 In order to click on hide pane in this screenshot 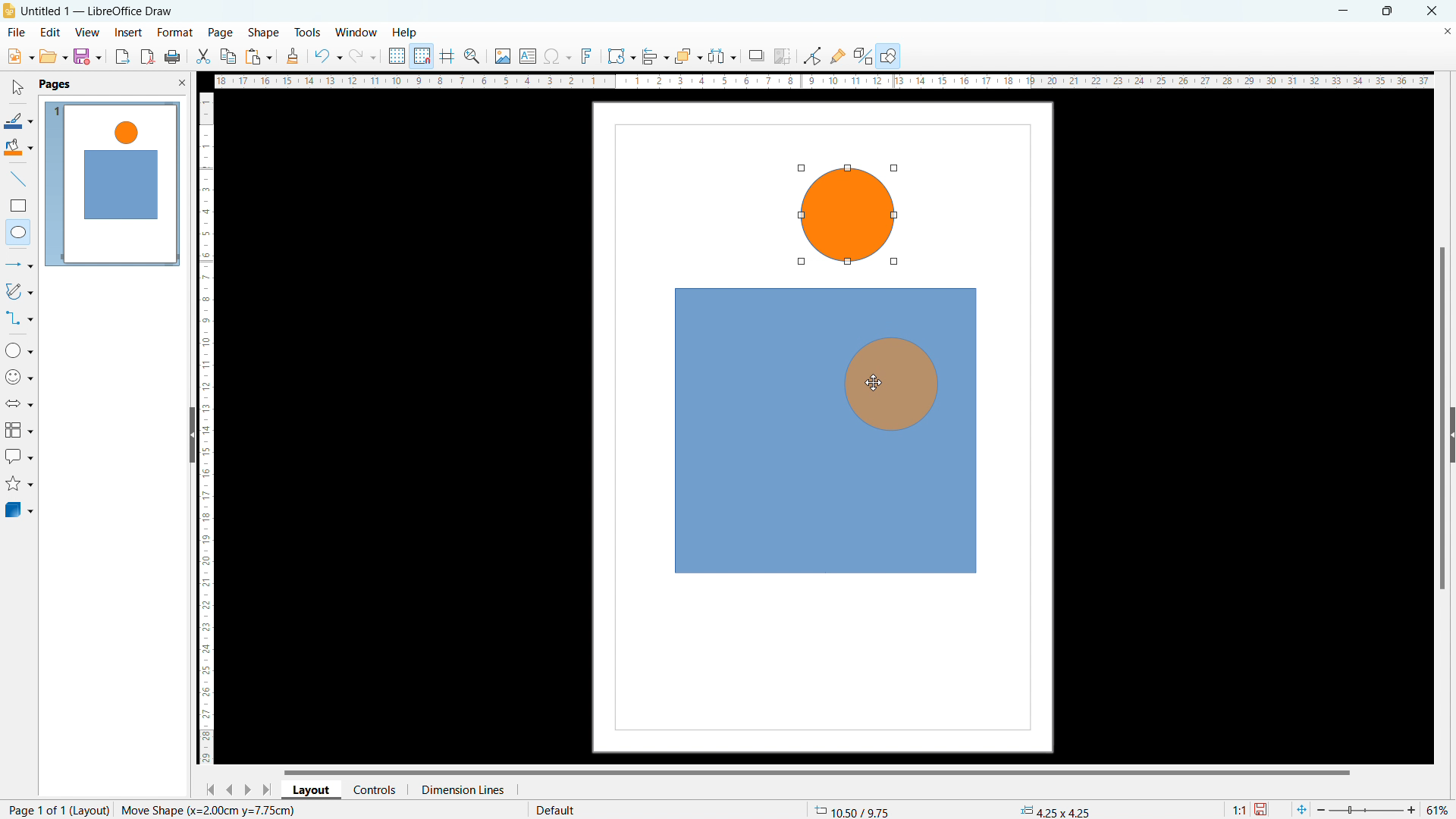, I will do `click(191, 435)`.